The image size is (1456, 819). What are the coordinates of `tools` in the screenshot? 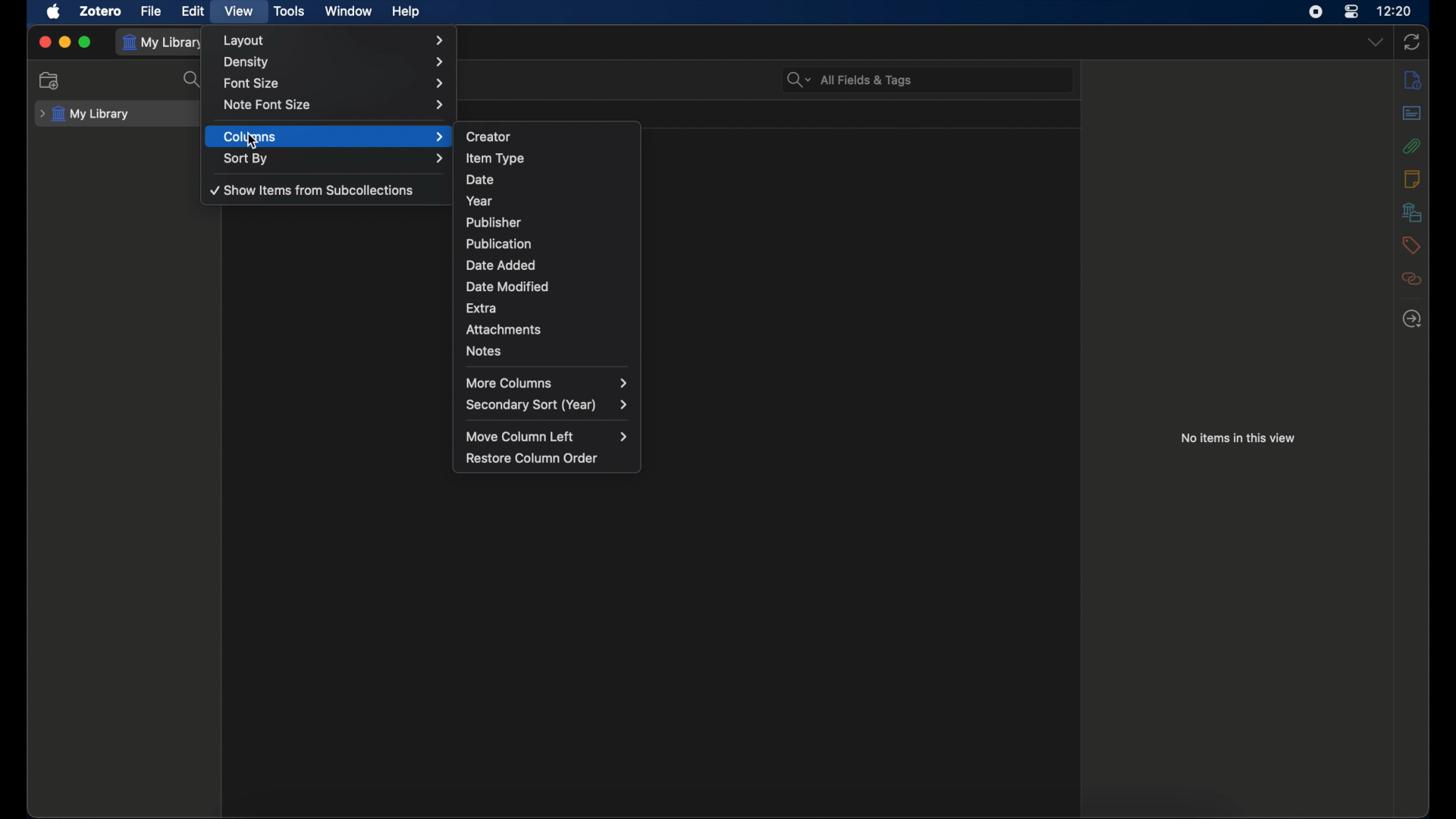 It's located at (287, 11).